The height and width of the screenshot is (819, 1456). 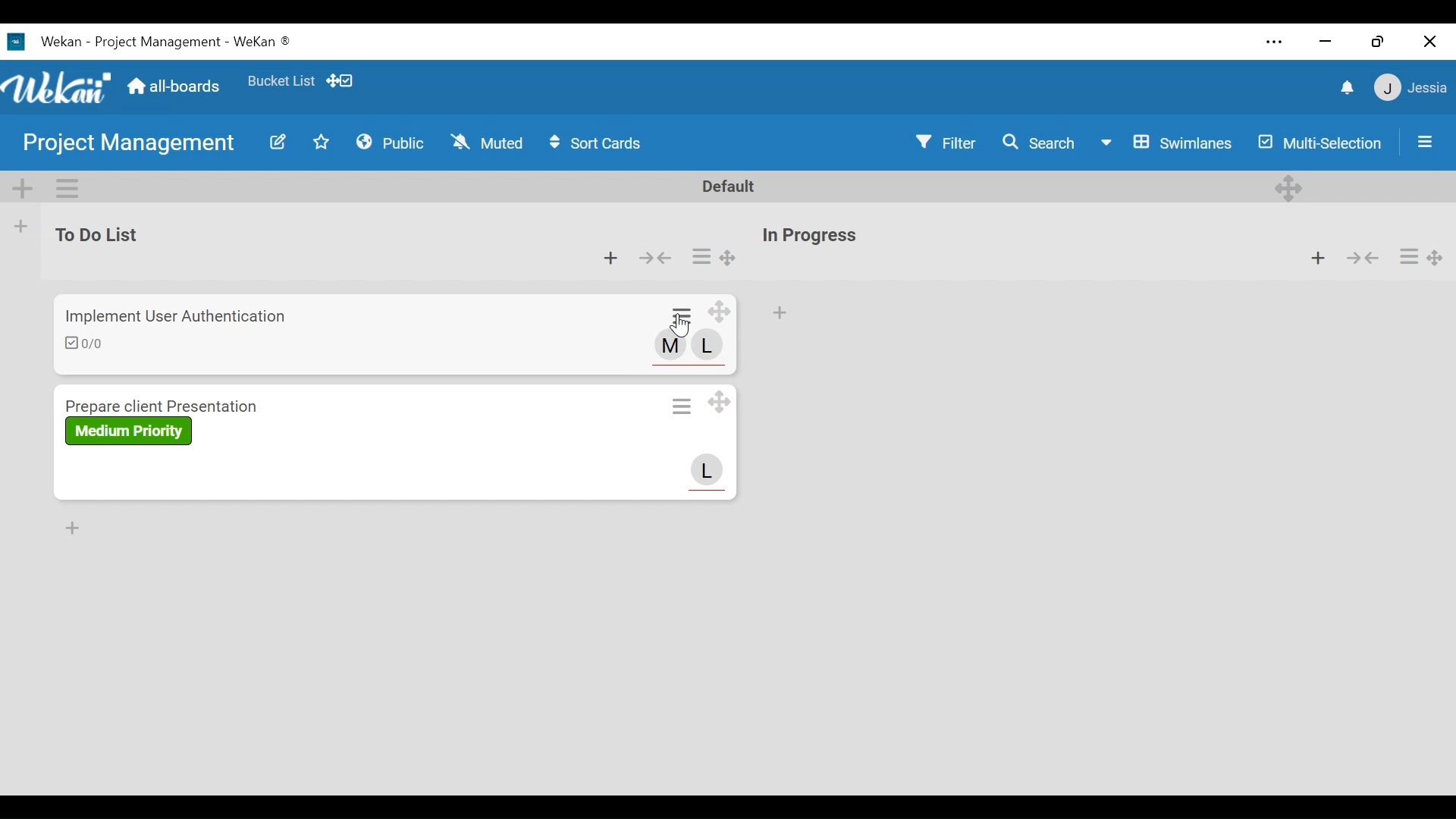 I want to click on Wekan Desktop Icon, so click(x=156, y=40).